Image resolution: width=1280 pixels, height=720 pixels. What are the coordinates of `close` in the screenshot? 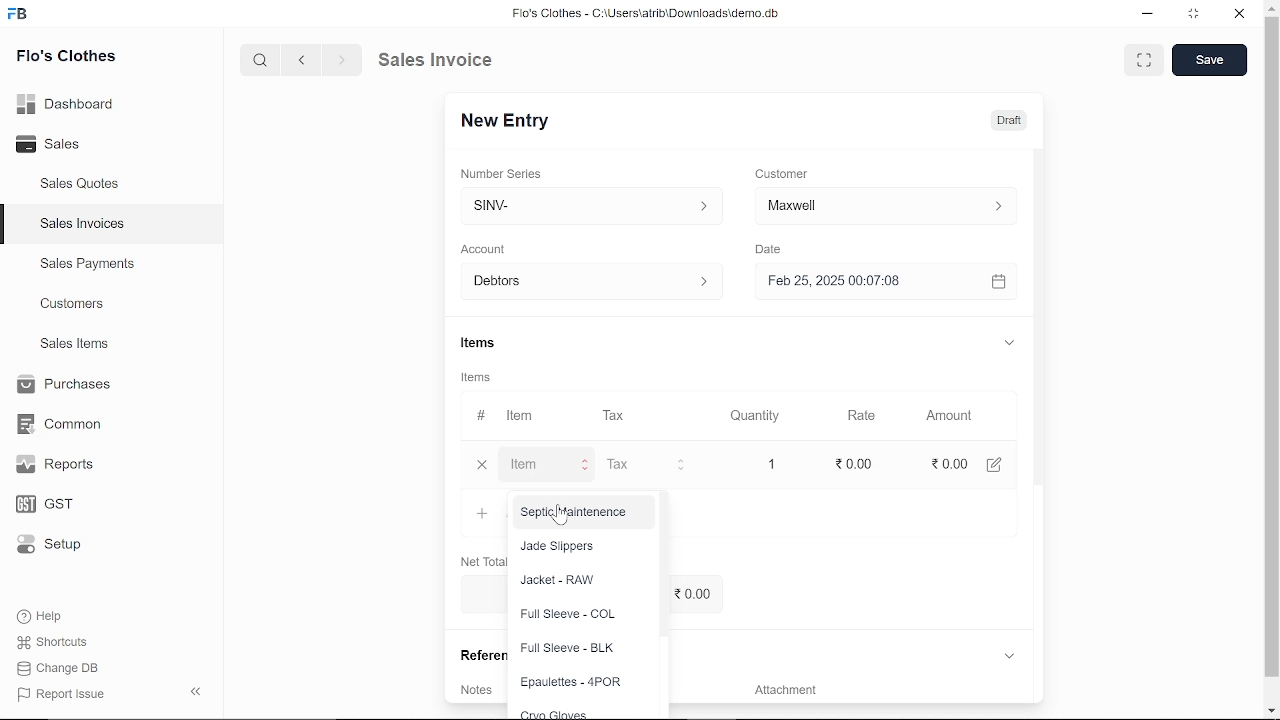 It's located at (1241, 14).